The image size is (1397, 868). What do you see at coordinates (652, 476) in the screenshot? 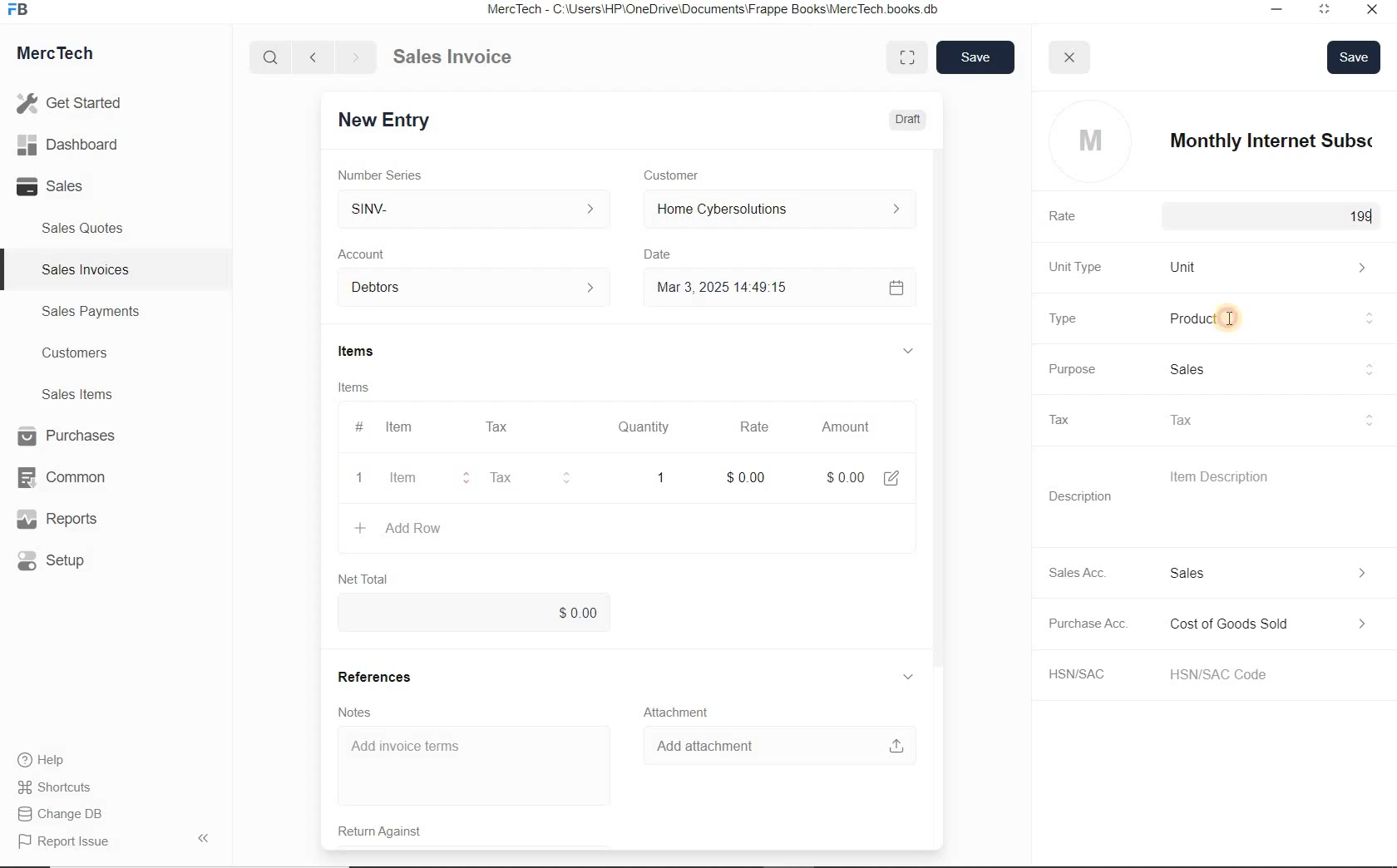
I see `quatity: 1` at bounding box center [652, 476].